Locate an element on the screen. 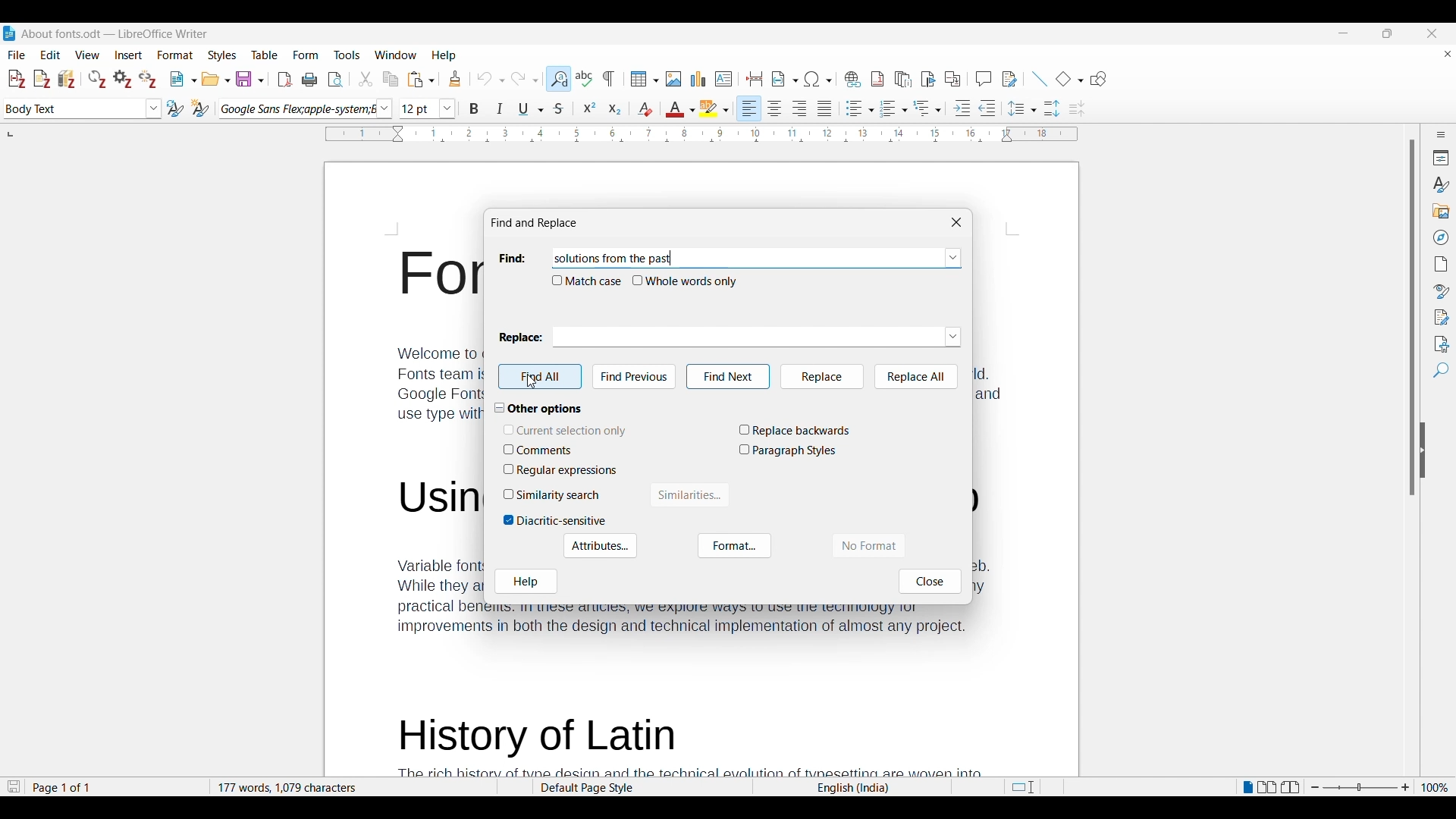 This screenshot has width=1456, height=819. Current text language is located at coordinates (852, 788).